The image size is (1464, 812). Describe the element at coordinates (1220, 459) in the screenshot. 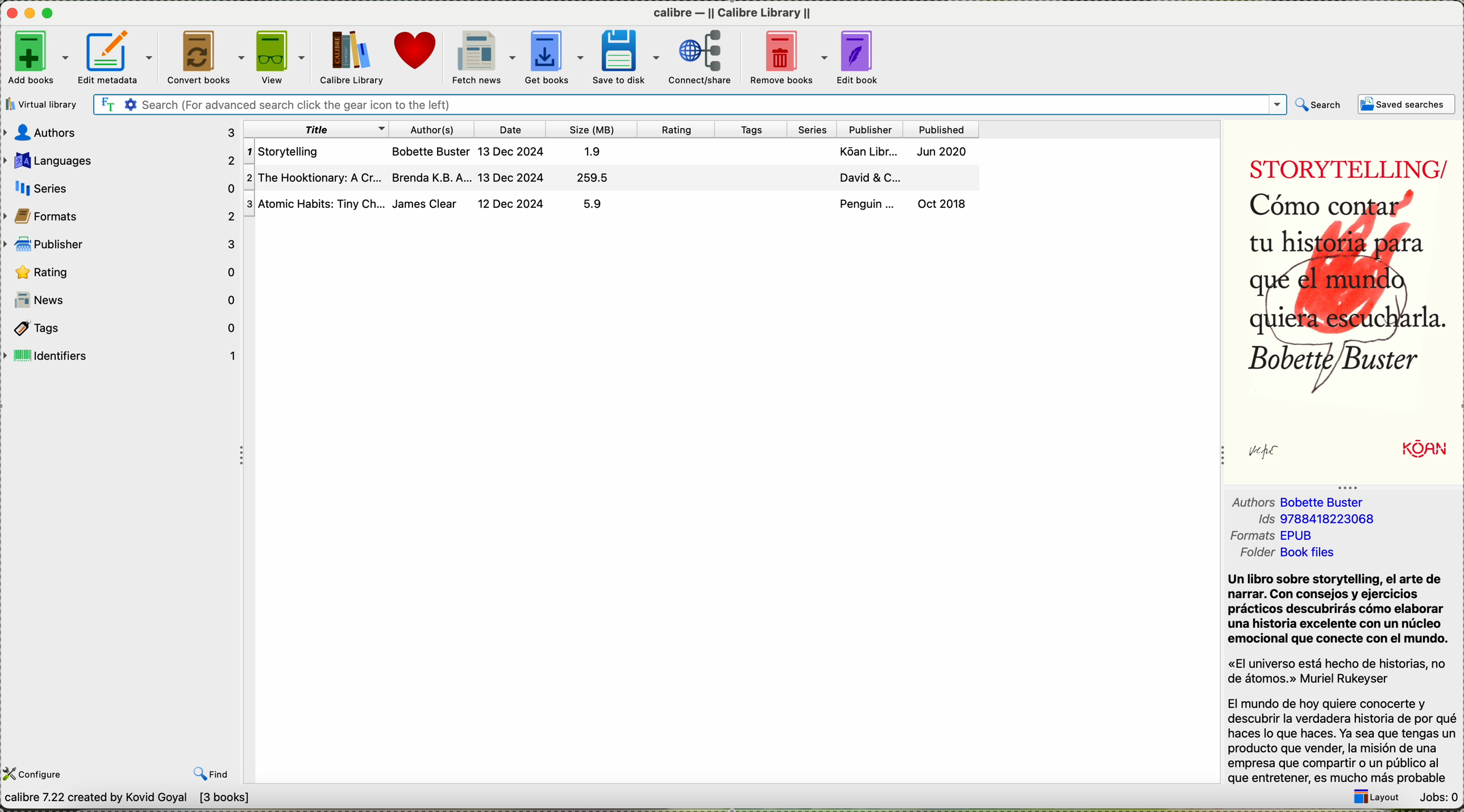

I see `collapse` at that location.